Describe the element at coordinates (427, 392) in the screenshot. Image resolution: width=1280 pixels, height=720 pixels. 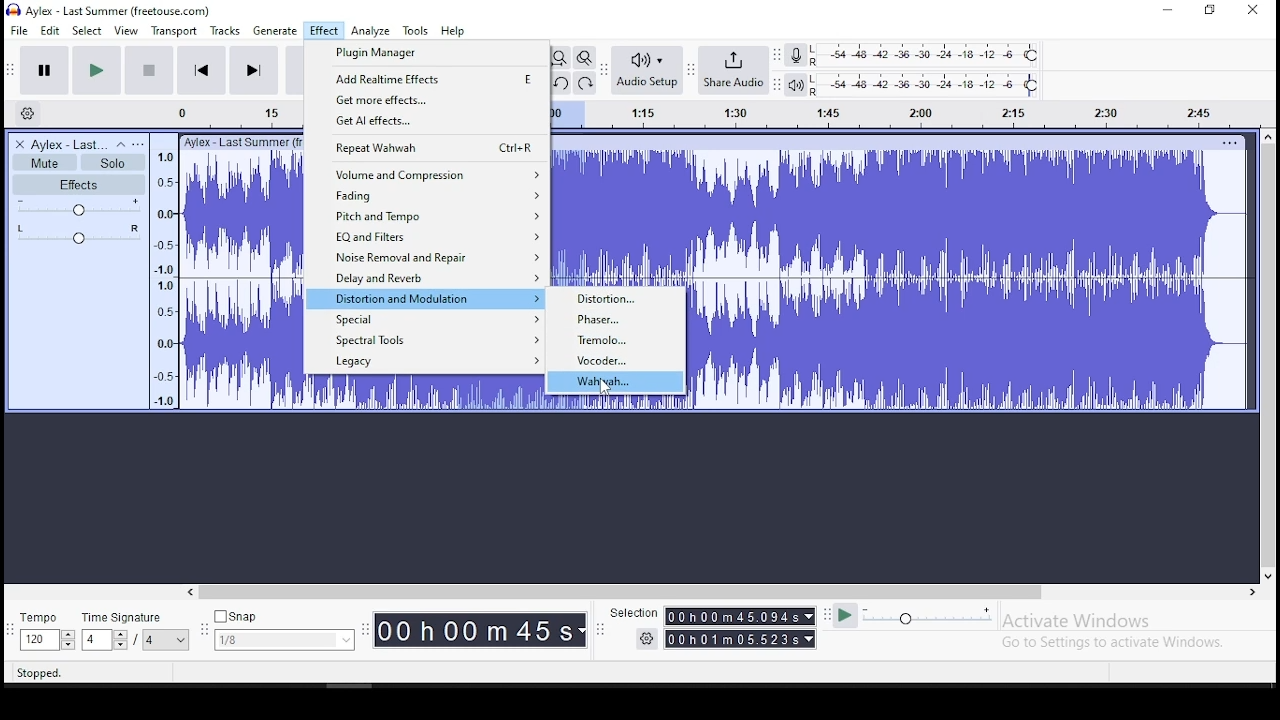
I see `audio track` at that location.